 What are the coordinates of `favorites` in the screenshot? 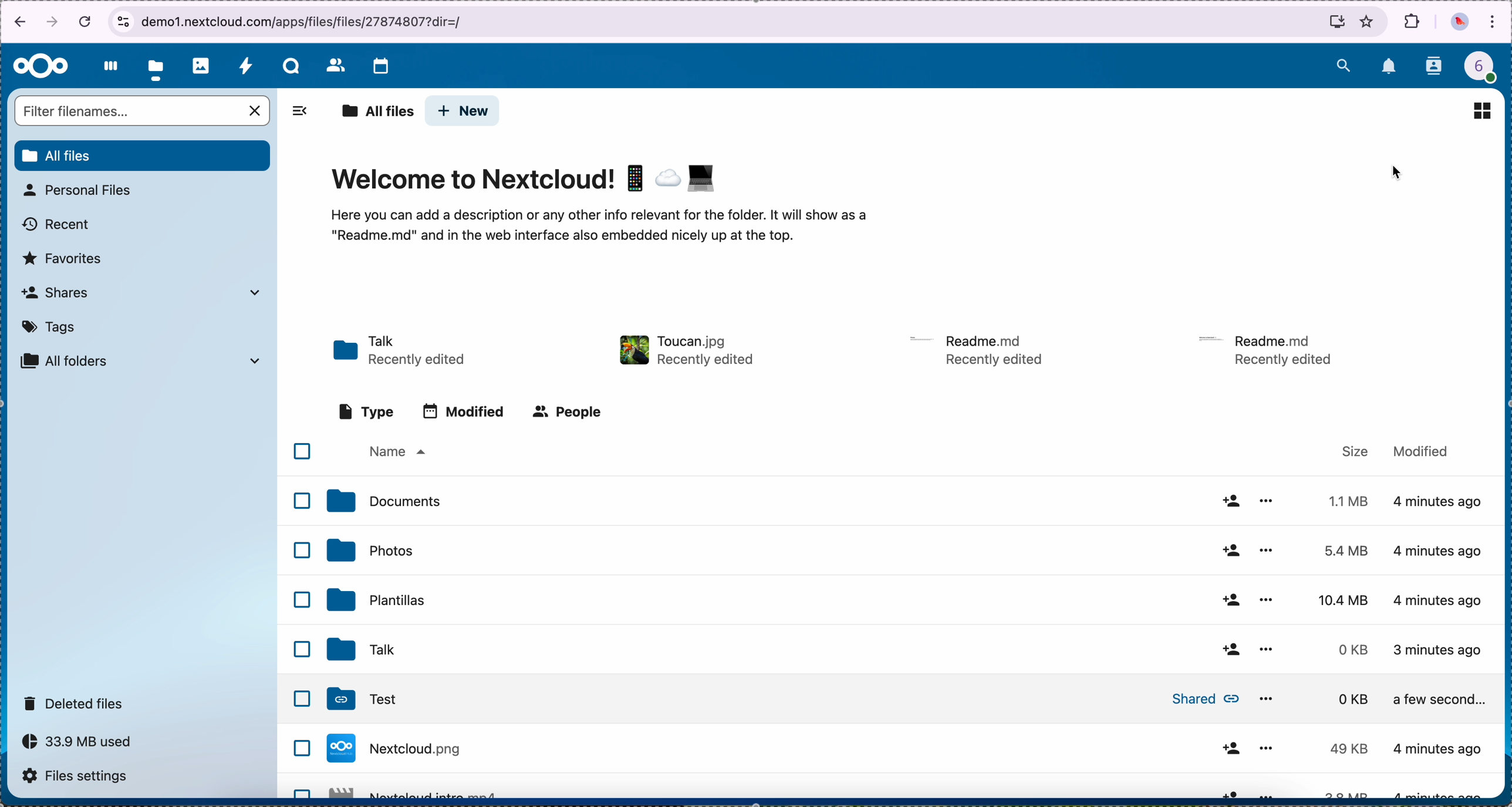 It's located at (1368, 21).